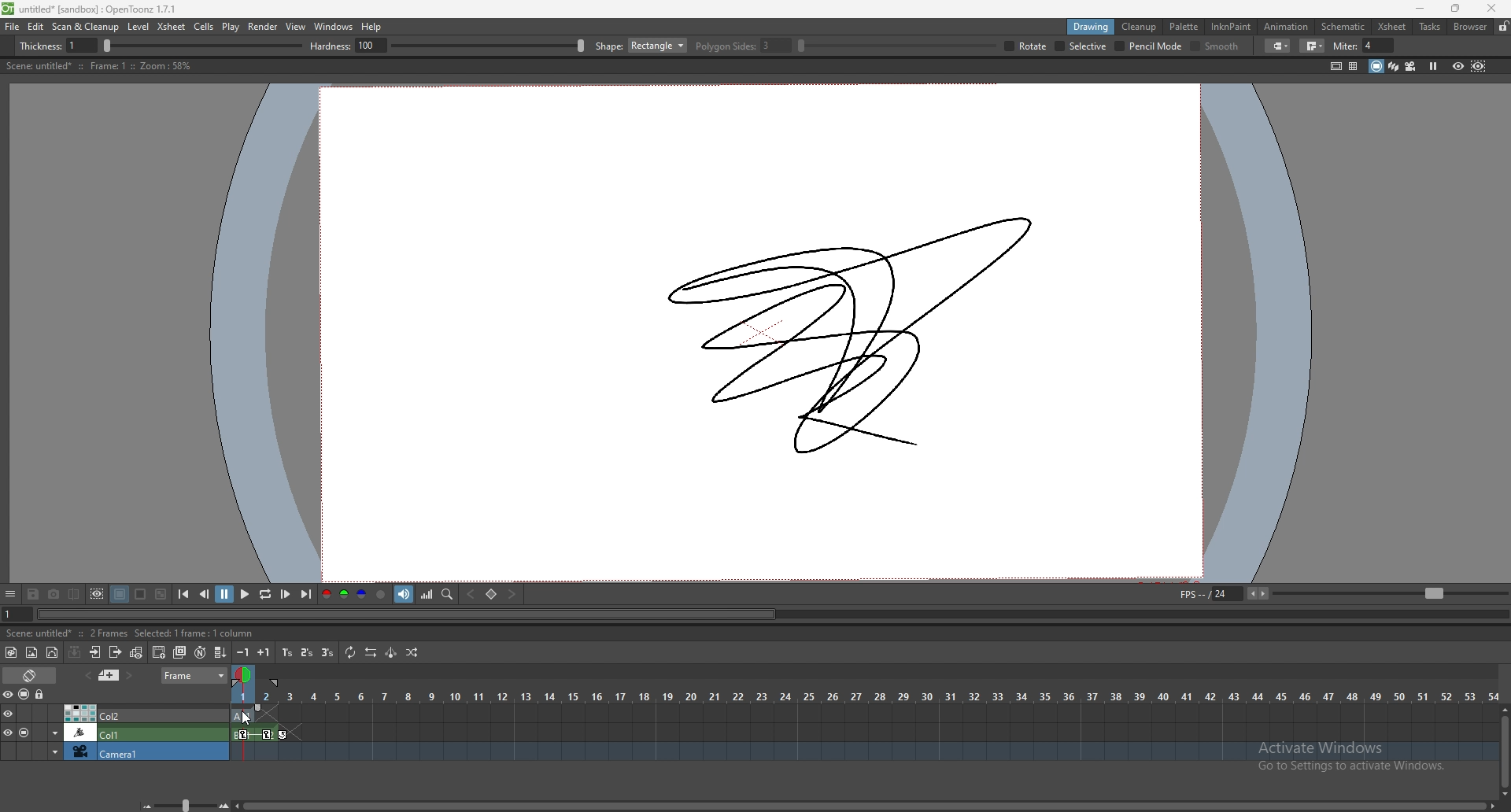  I want to click on alpha channel, so click(381, 595).